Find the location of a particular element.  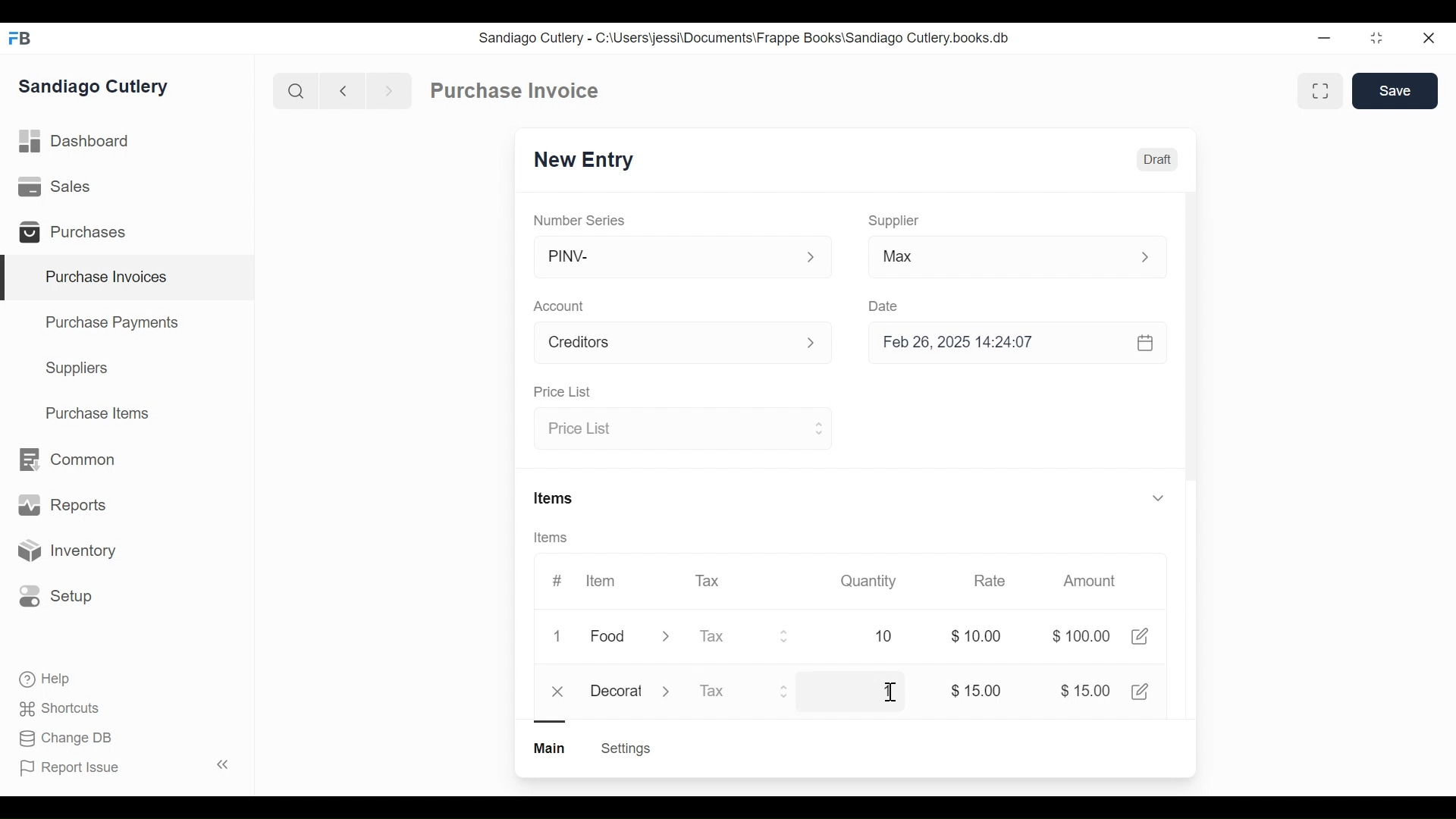

Setup is located at coordinates (56, 595).